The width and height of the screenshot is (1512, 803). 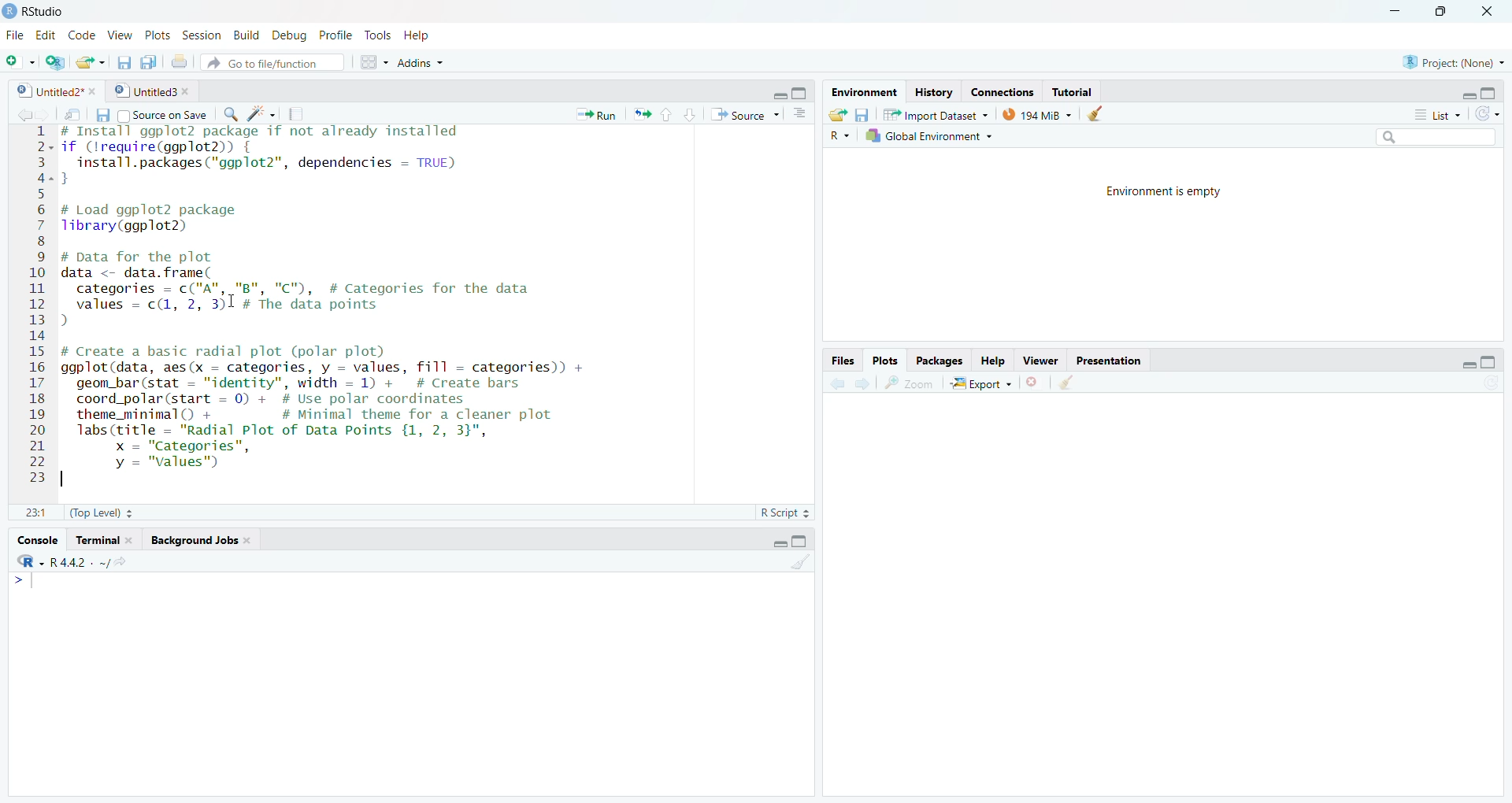 What do you see at coordinates (1436, 114) in the screenshot?
I see `List` at bounding box center [1436, 114].